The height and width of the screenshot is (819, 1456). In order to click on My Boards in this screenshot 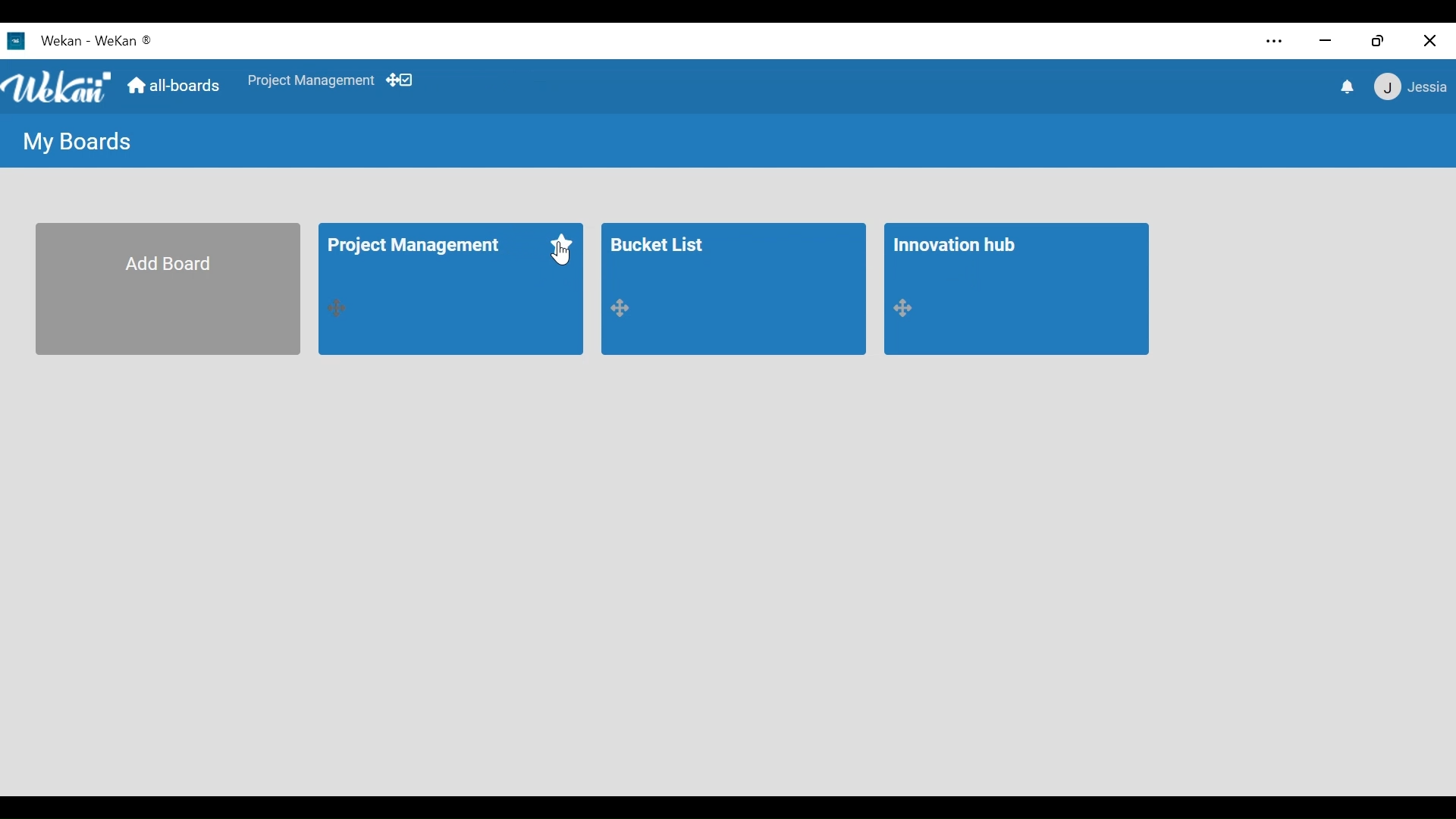, I will do `click(79, 143)`.